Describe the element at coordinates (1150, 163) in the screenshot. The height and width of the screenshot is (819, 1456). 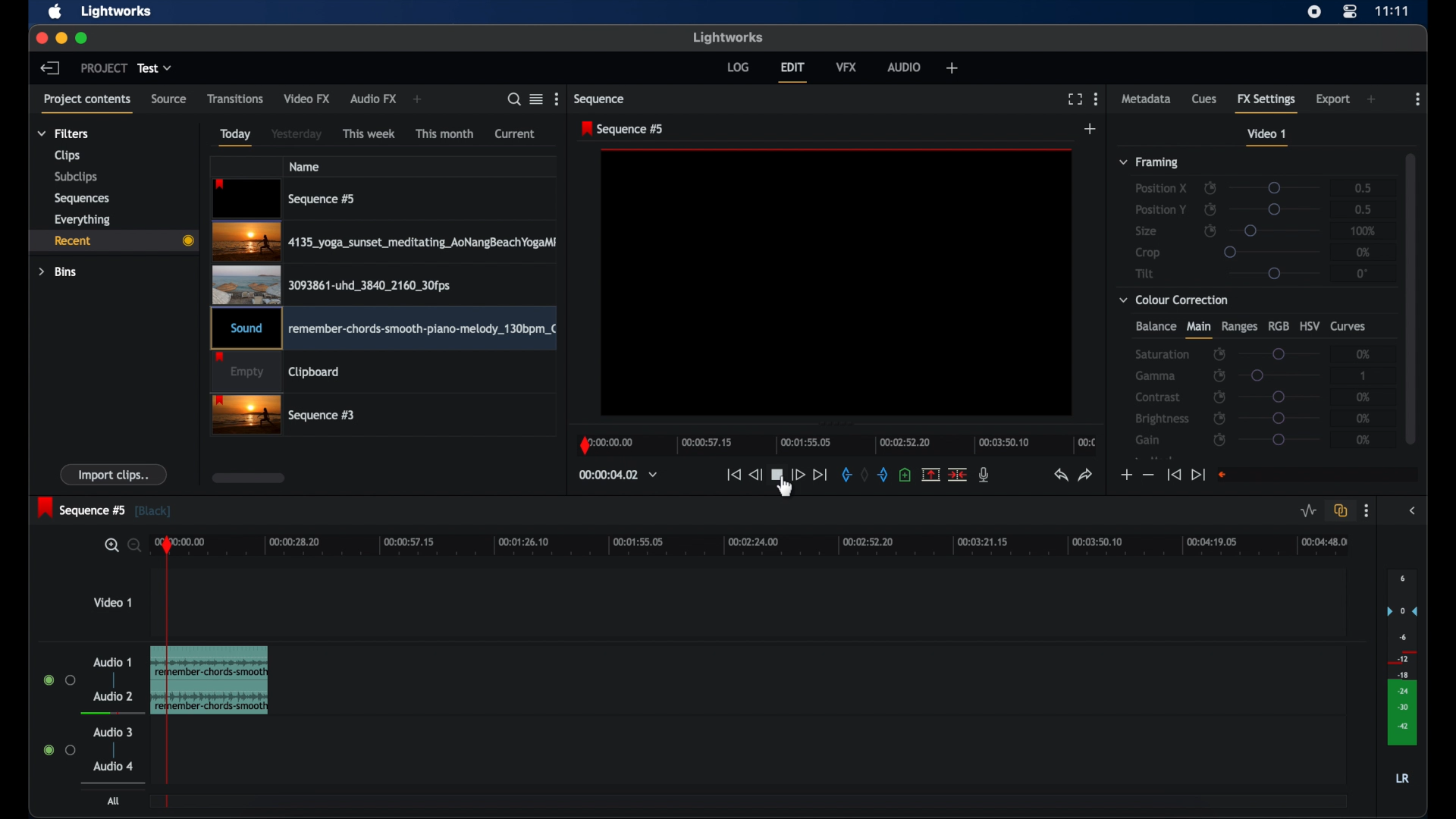
I see `framing` at that location.